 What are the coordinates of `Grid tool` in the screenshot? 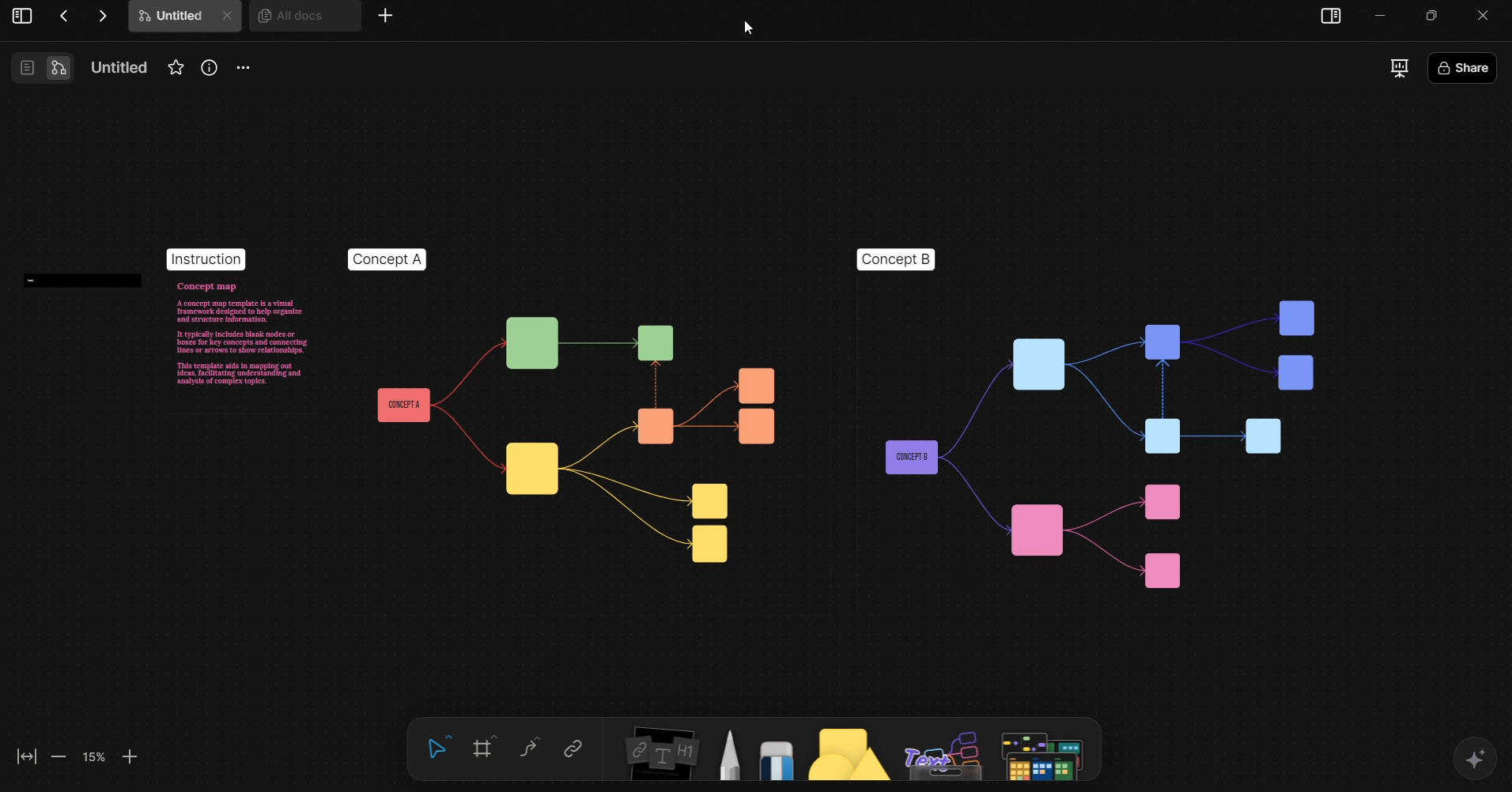 It's located at (483, 749).